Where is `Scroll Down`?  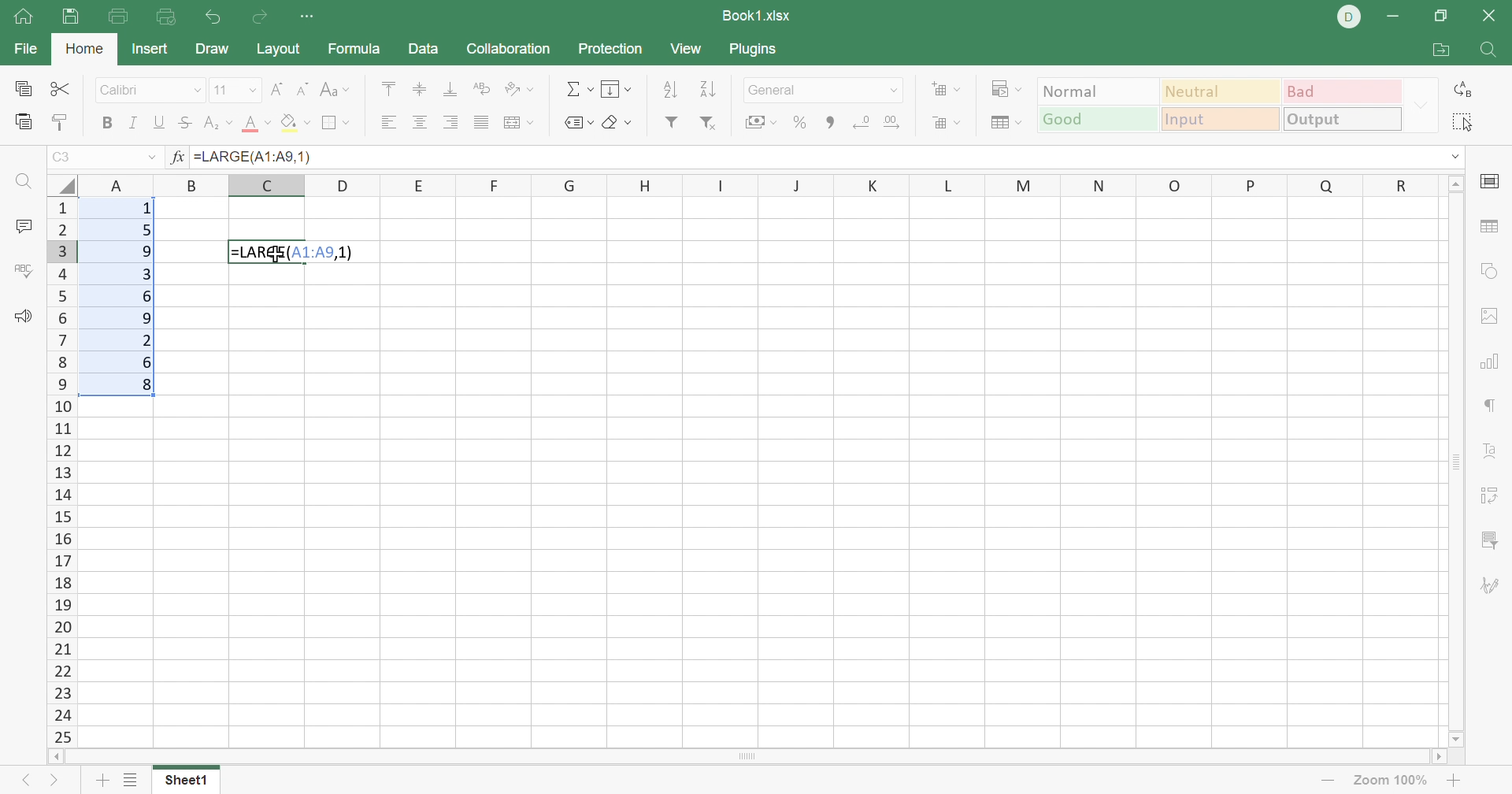
Scroll Down is located at coordinates (1449, 736).